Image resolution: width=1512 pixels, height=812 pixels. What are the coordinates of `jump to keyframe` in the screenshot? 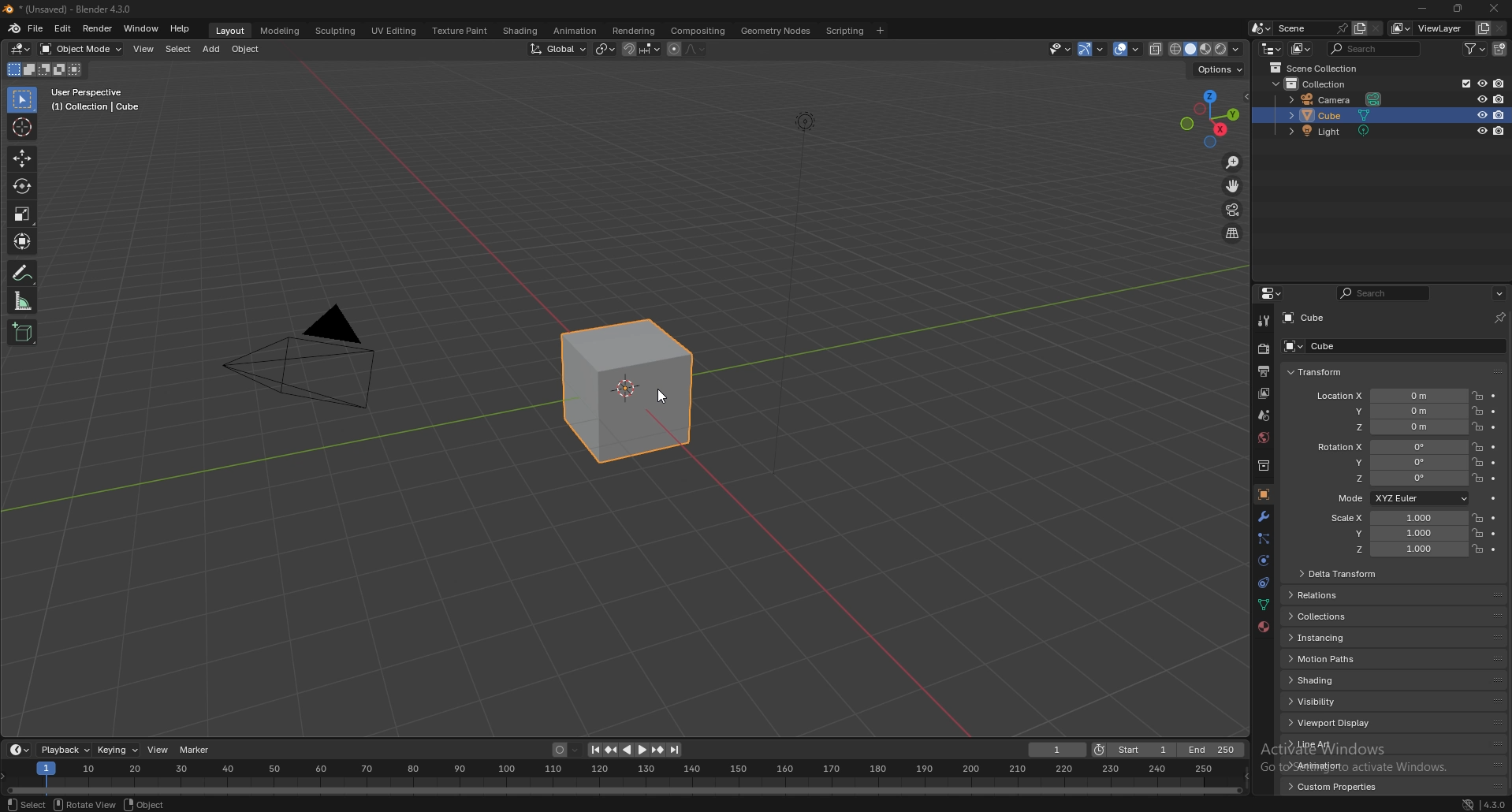 It's located at (657, 749).